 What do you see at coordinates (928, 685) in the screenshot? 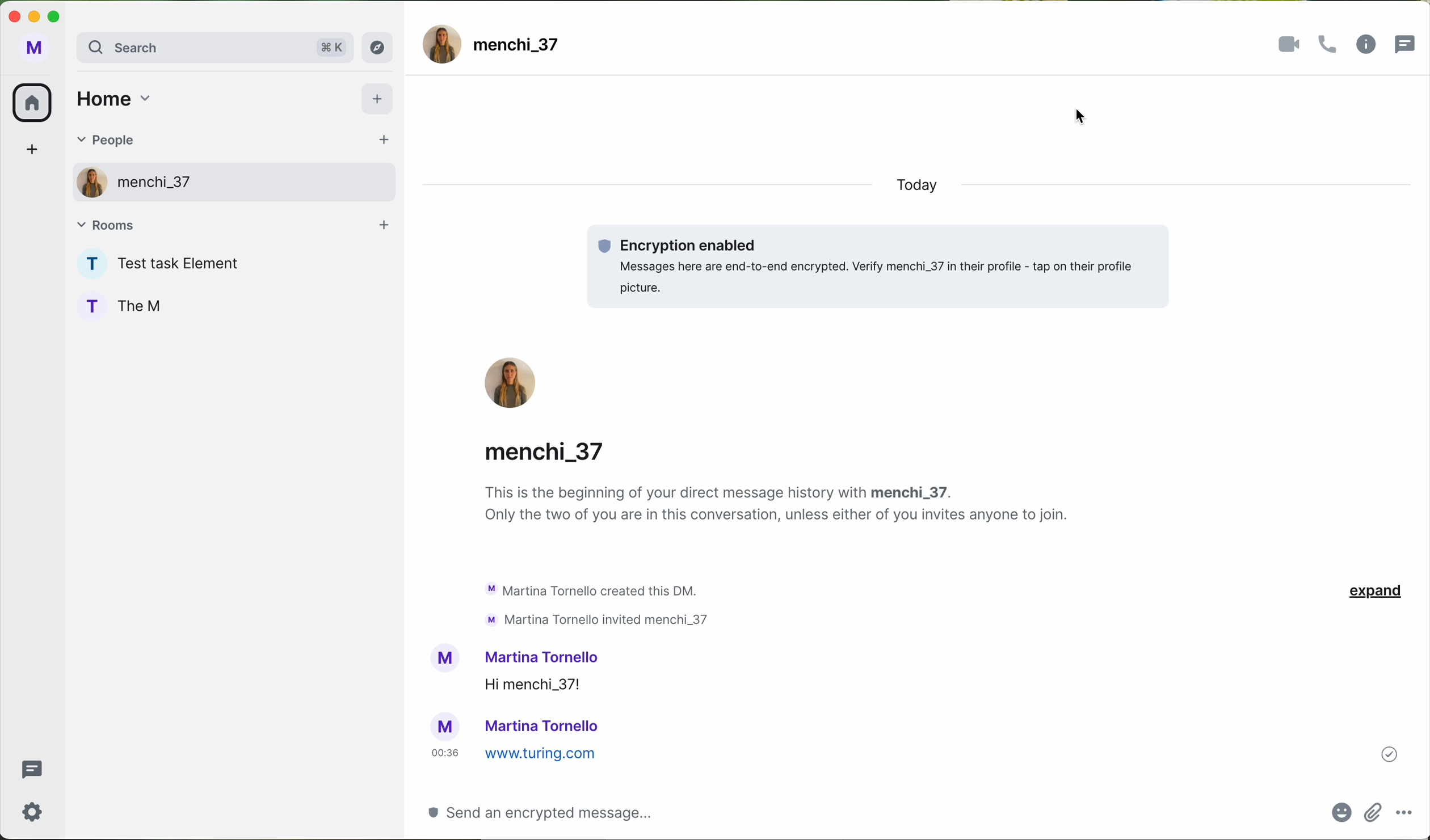
I see `message sended` at bounding box center [928, 685].